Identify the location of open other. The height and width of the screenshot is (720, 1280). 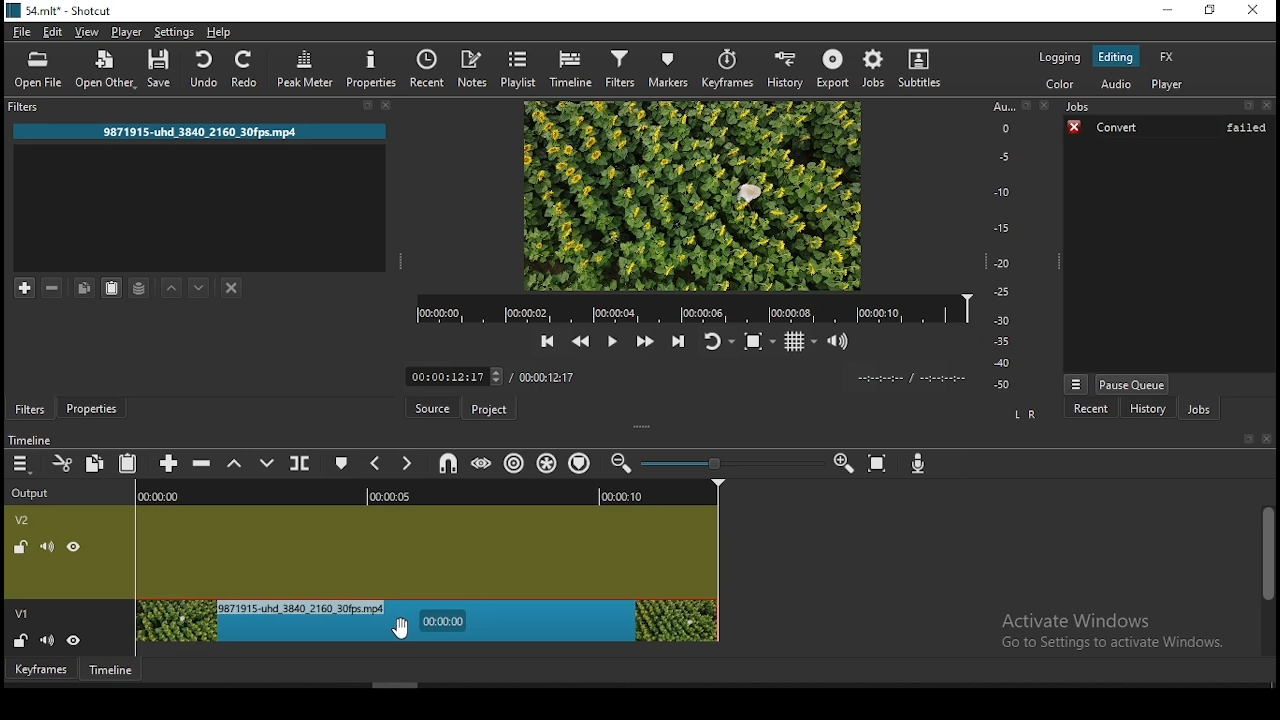
(106, 68).